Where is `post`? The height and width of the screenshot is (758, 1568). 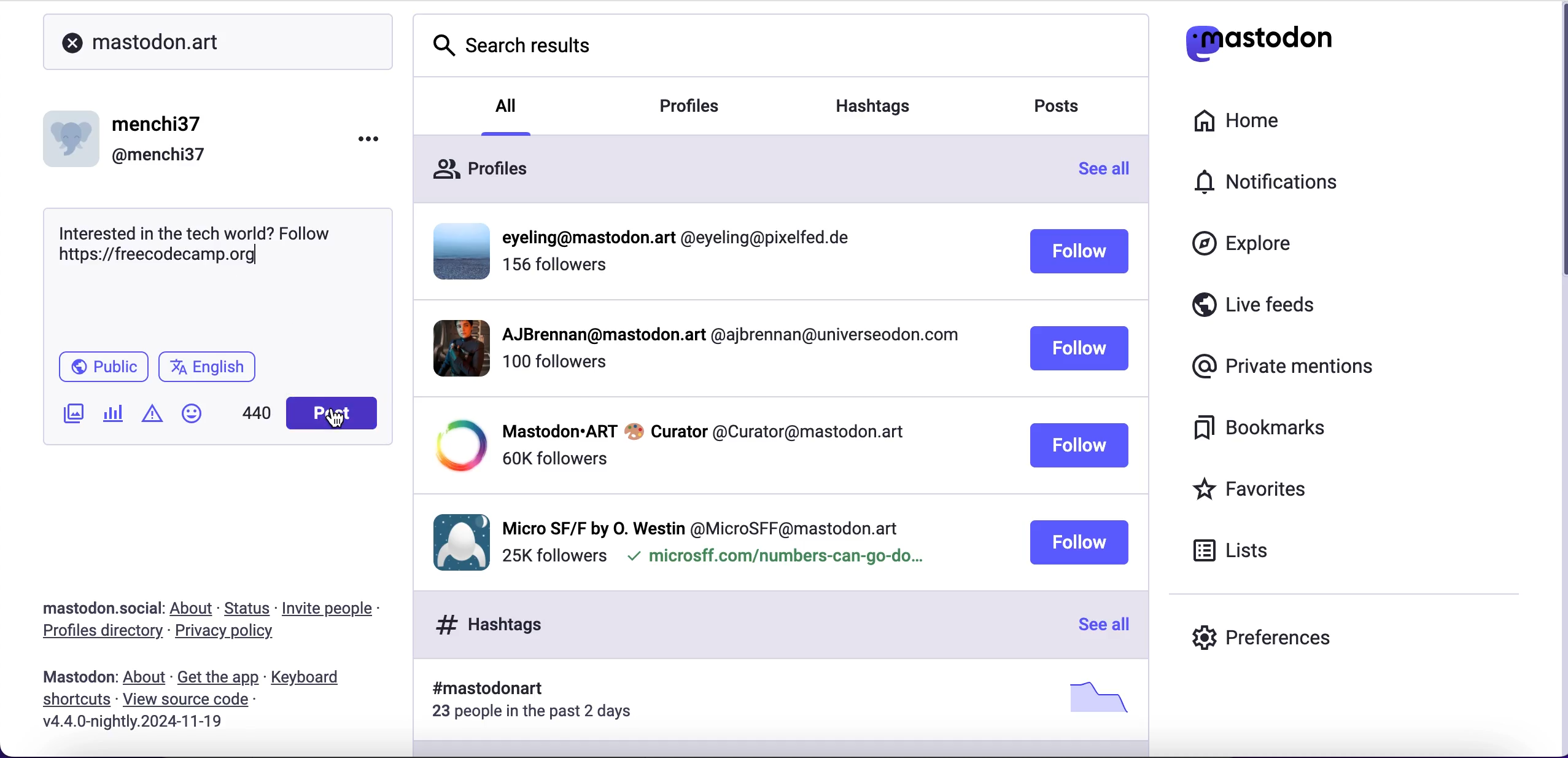
post is located at coordinates (330, 413).